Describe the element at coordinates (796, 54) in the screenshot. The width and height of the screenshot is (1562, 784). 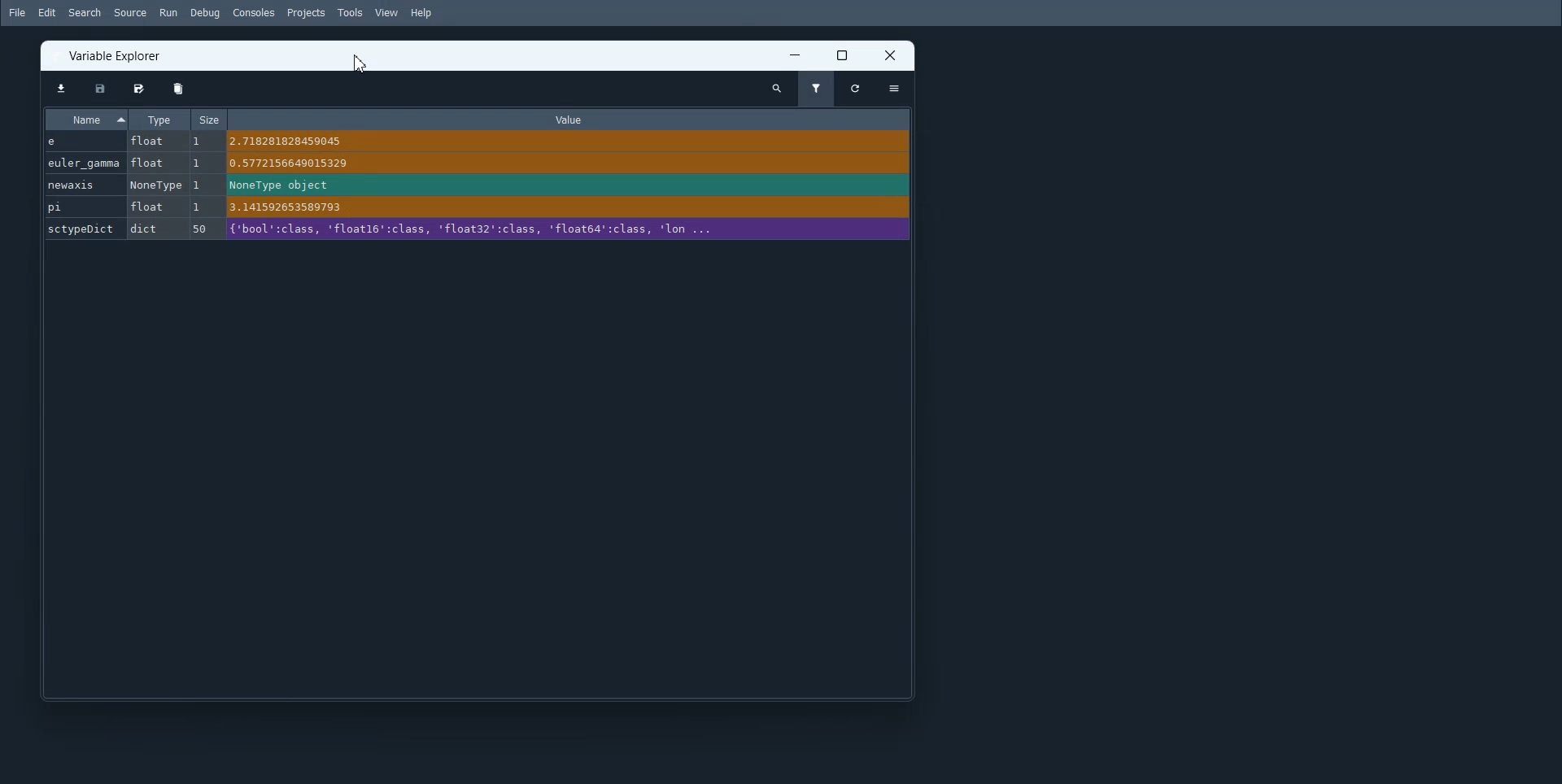
I see `Minimize` at that location.